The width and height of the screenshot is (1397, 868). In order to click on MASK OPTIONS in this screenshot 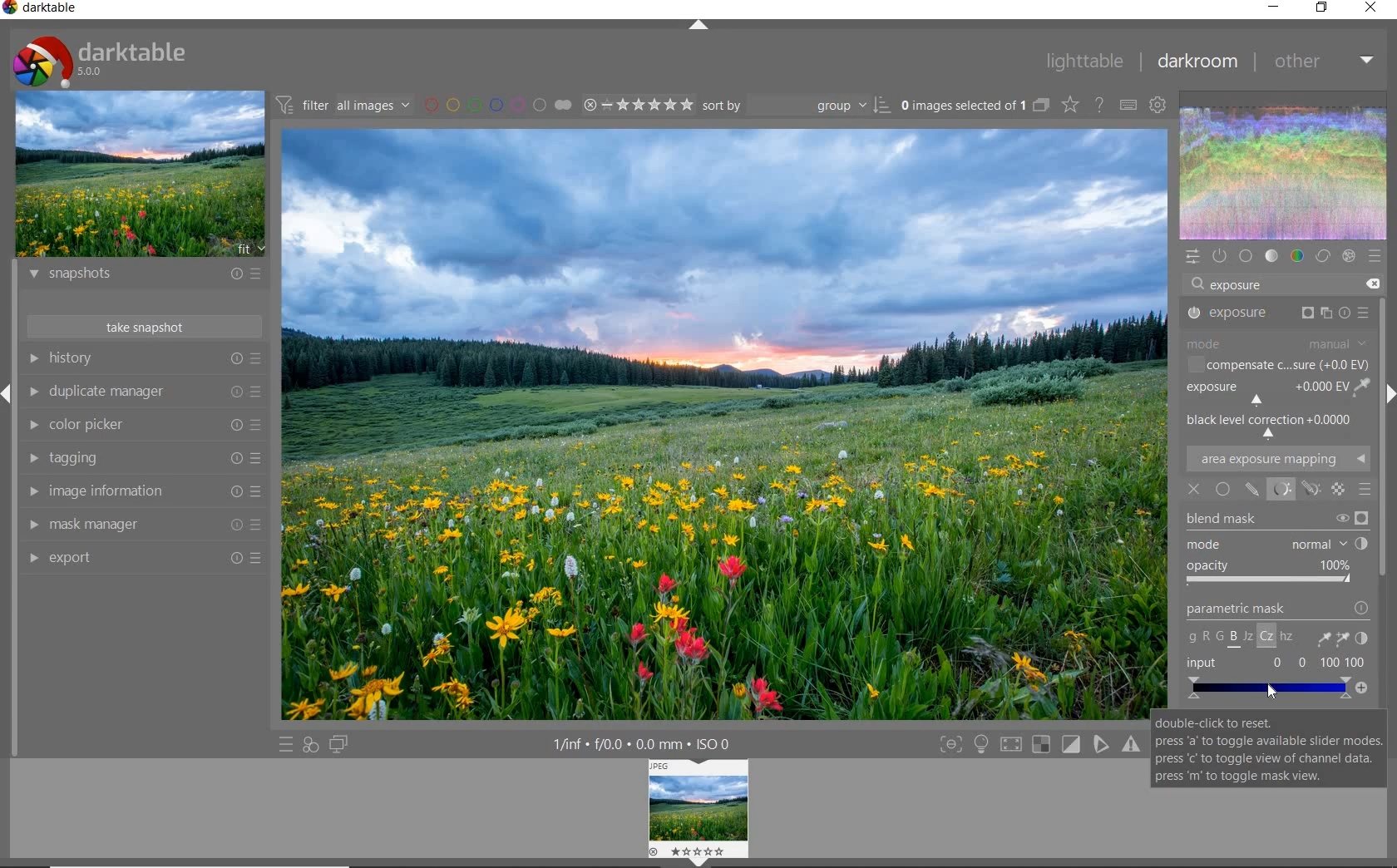, I will do `click(1295, 490)`.